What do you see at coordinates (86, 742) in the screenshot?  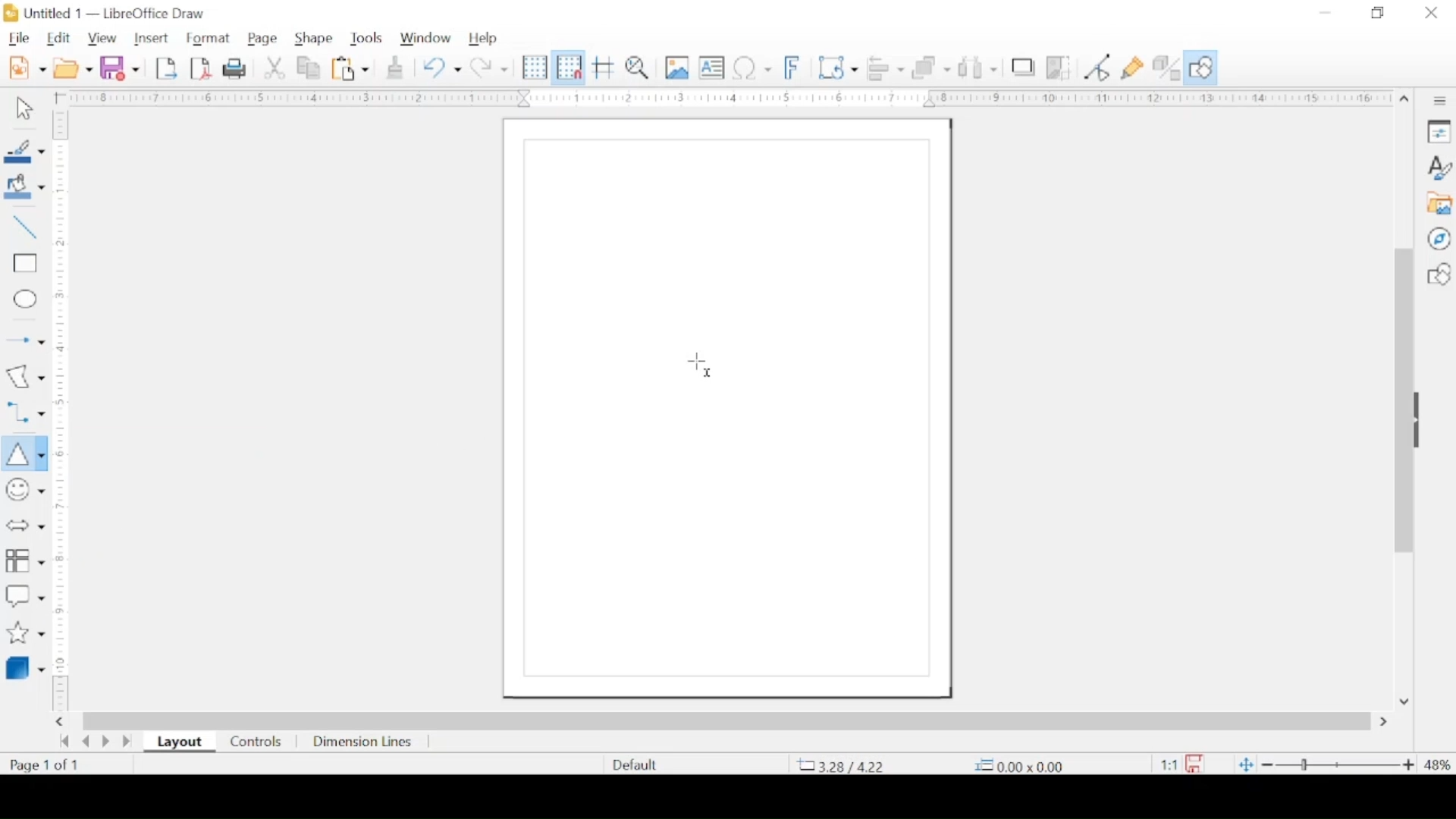 I see `previous page` at bounding box center [86, 742].